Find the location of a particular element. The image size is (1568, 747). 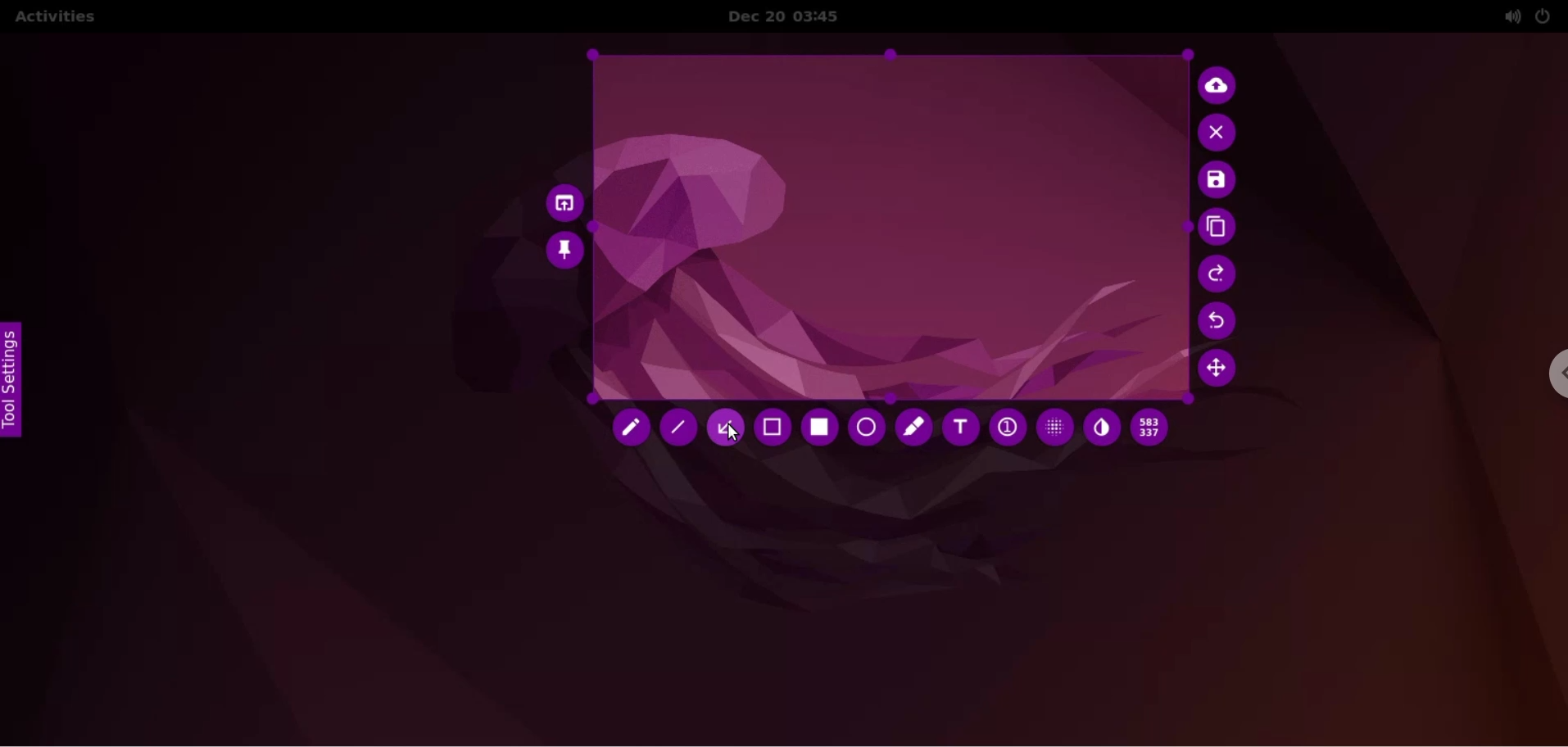

rectangle tool is located at coordinates (816, 428).